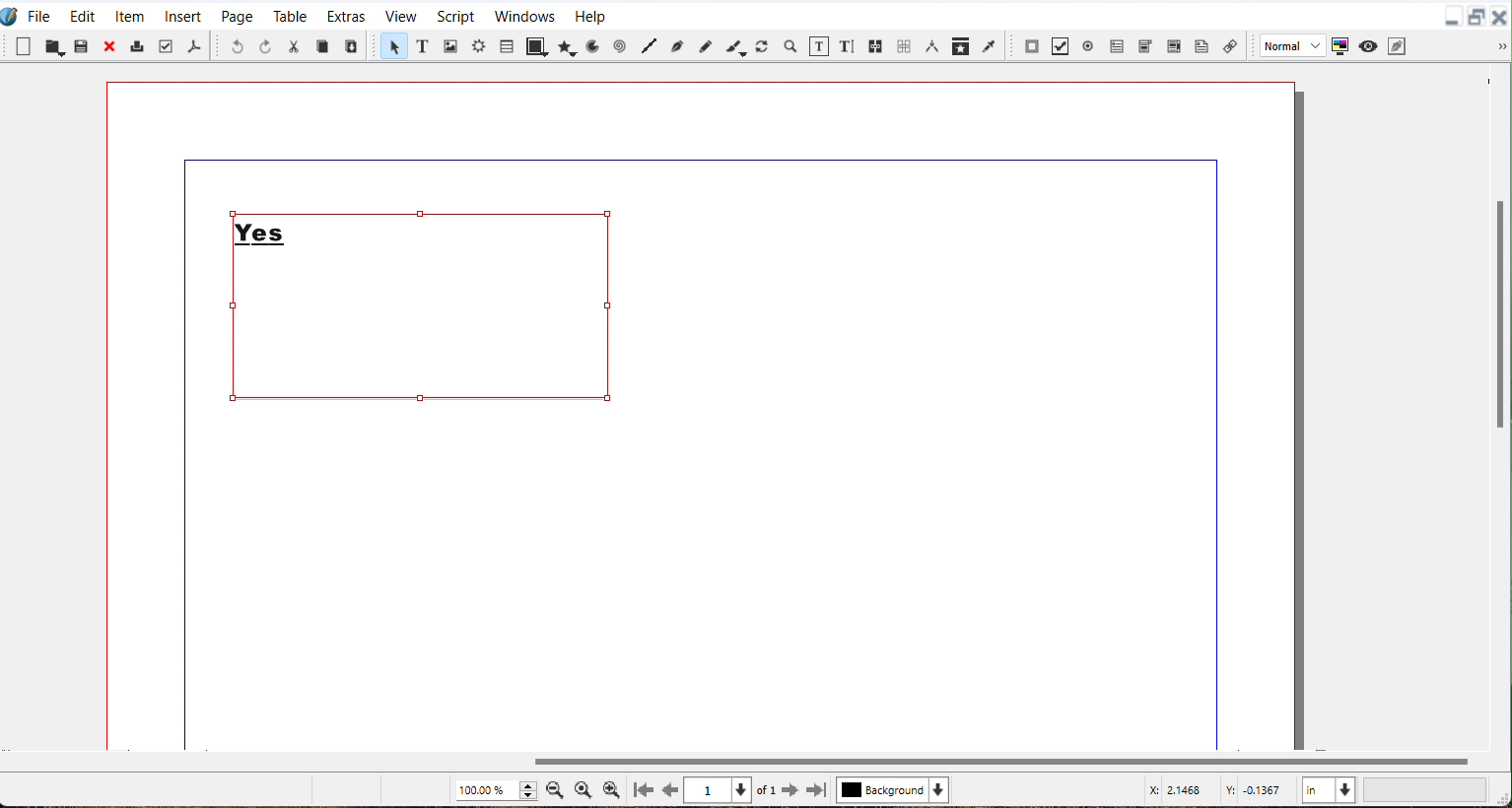 The height and width of the screenshot is (808, 1512). What do you see at coordinates (1368, 45) in the screenshot?
I see `Preview Mode` at bounding box center [1368, 45].